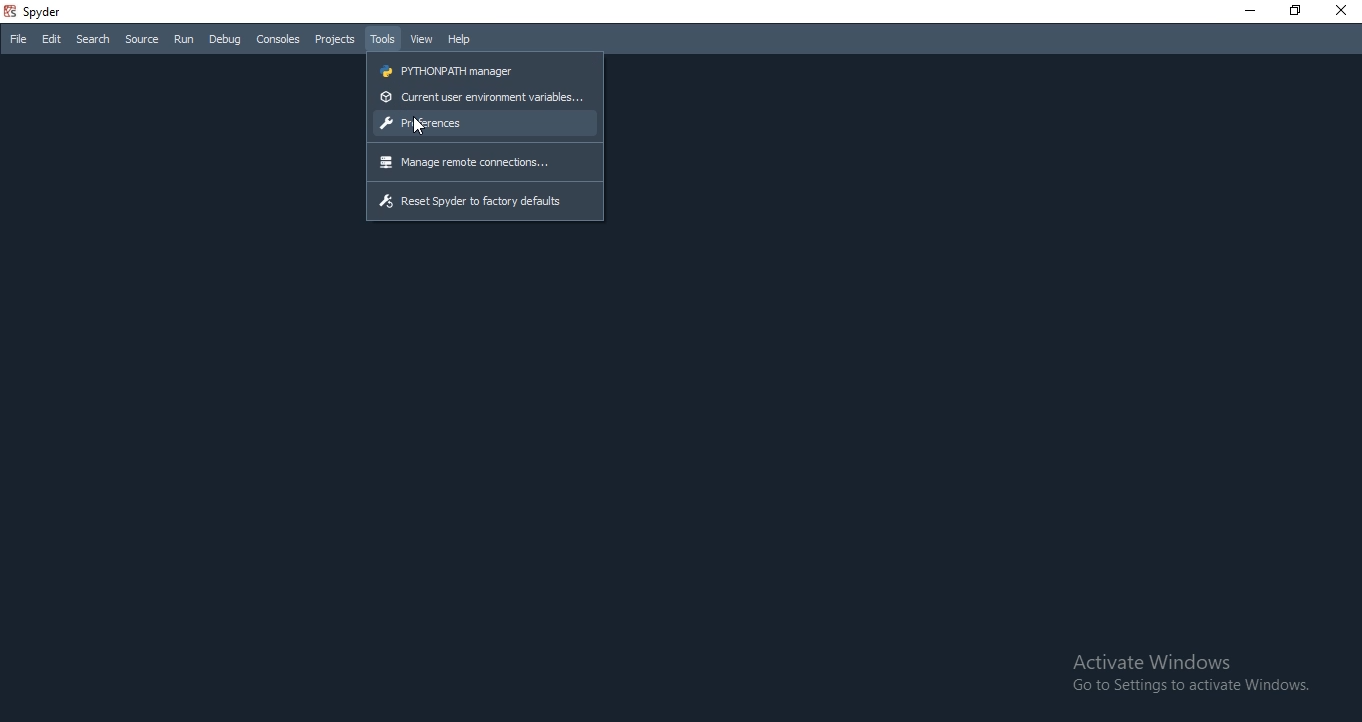 This screenshot has height=722, width=1362. I want to click on Search, so click(93, 40).